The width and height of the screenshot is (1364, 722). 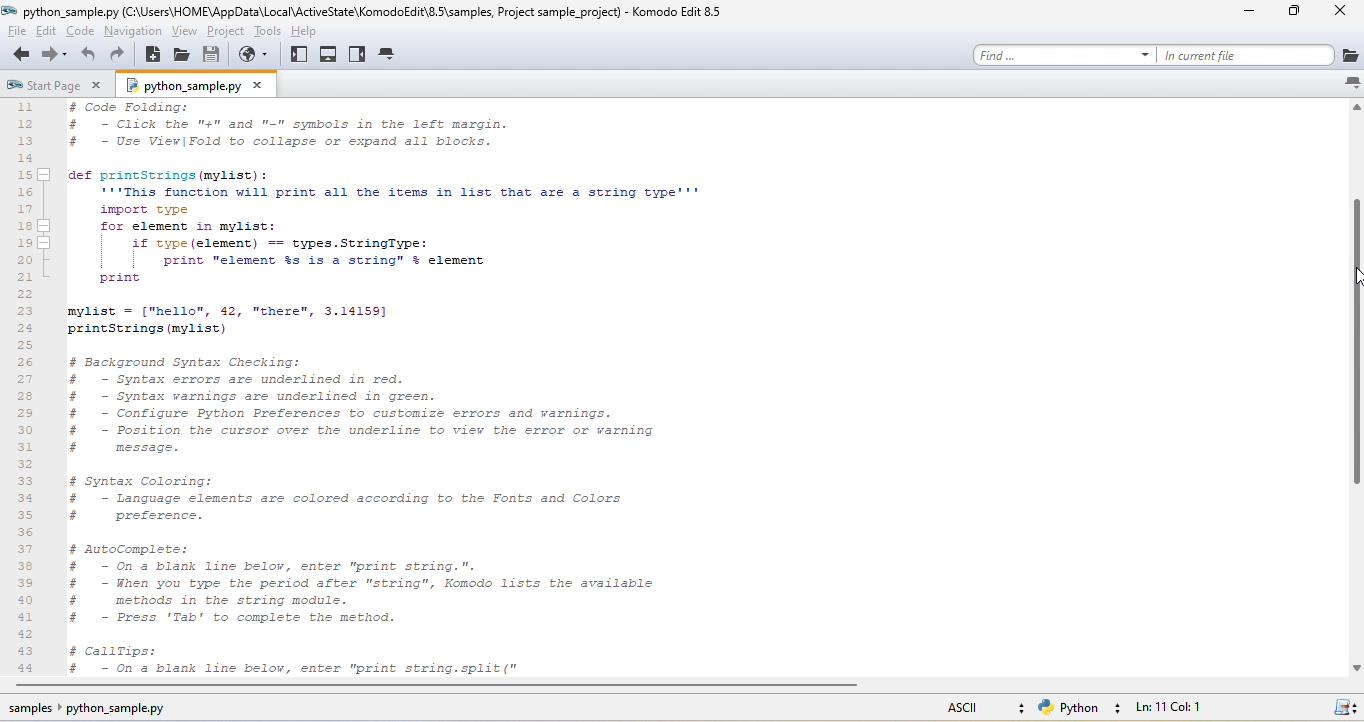 I want to click on redo, so click(x=119, y=55).